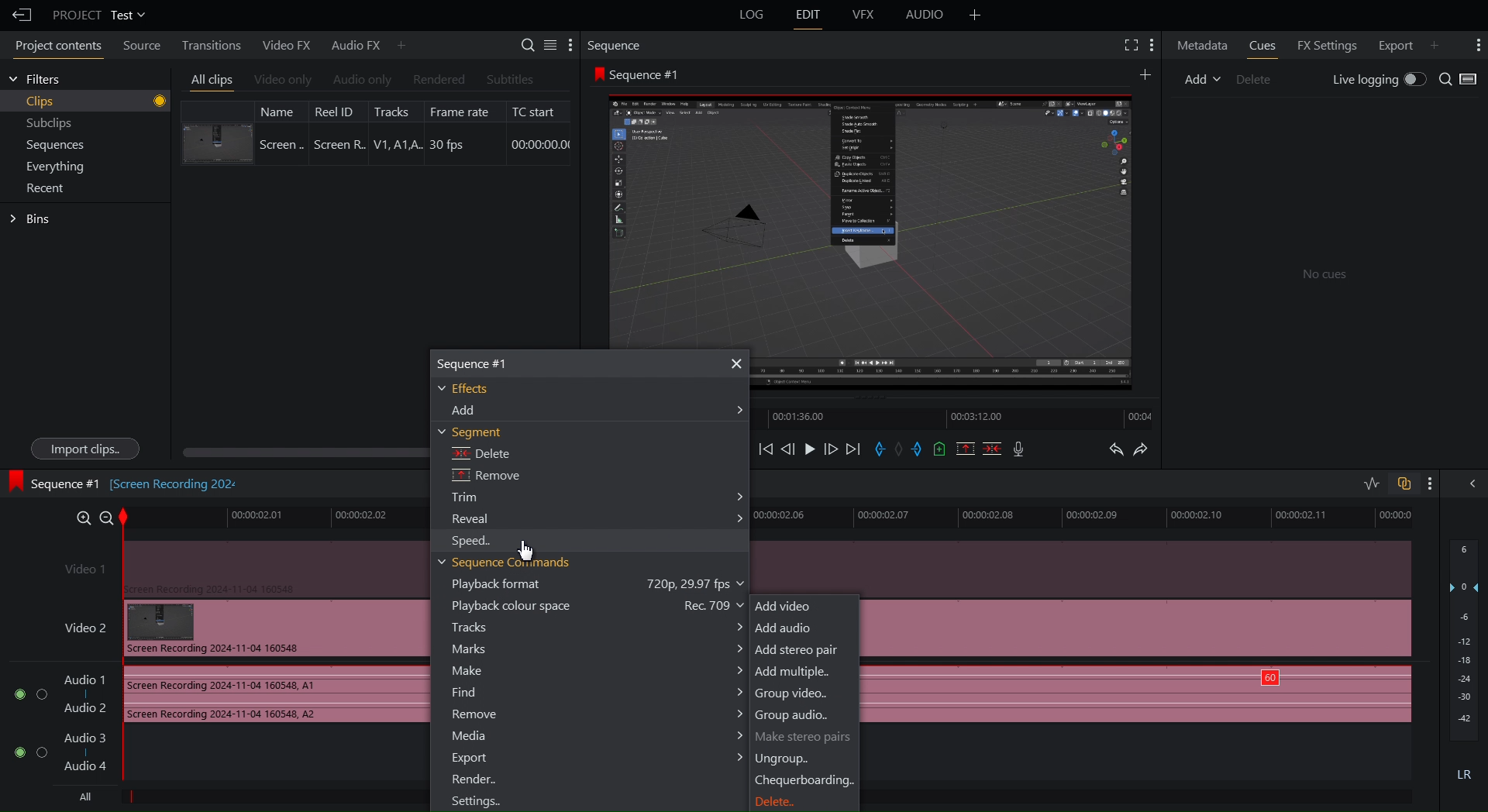 The width and height of the screenshot is (1488, 812). I want to click on More, so click(402, 44).